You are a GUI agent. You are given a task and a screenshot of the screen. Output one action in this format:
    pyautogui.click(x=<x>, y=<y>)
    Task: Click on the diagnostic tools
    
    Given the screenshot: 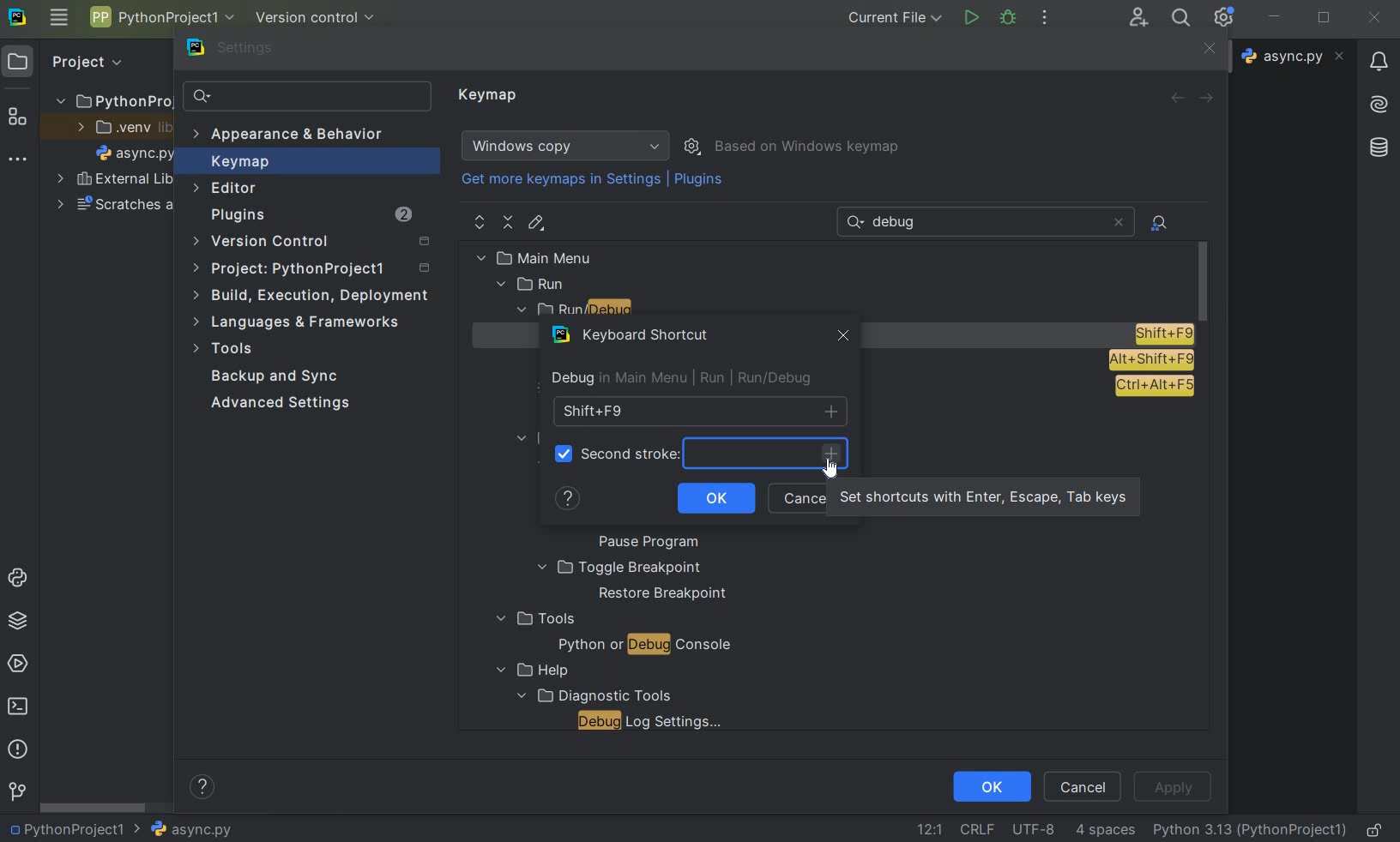 What is the action you would take?
    pyautogui.click(x=592, y=695)
    